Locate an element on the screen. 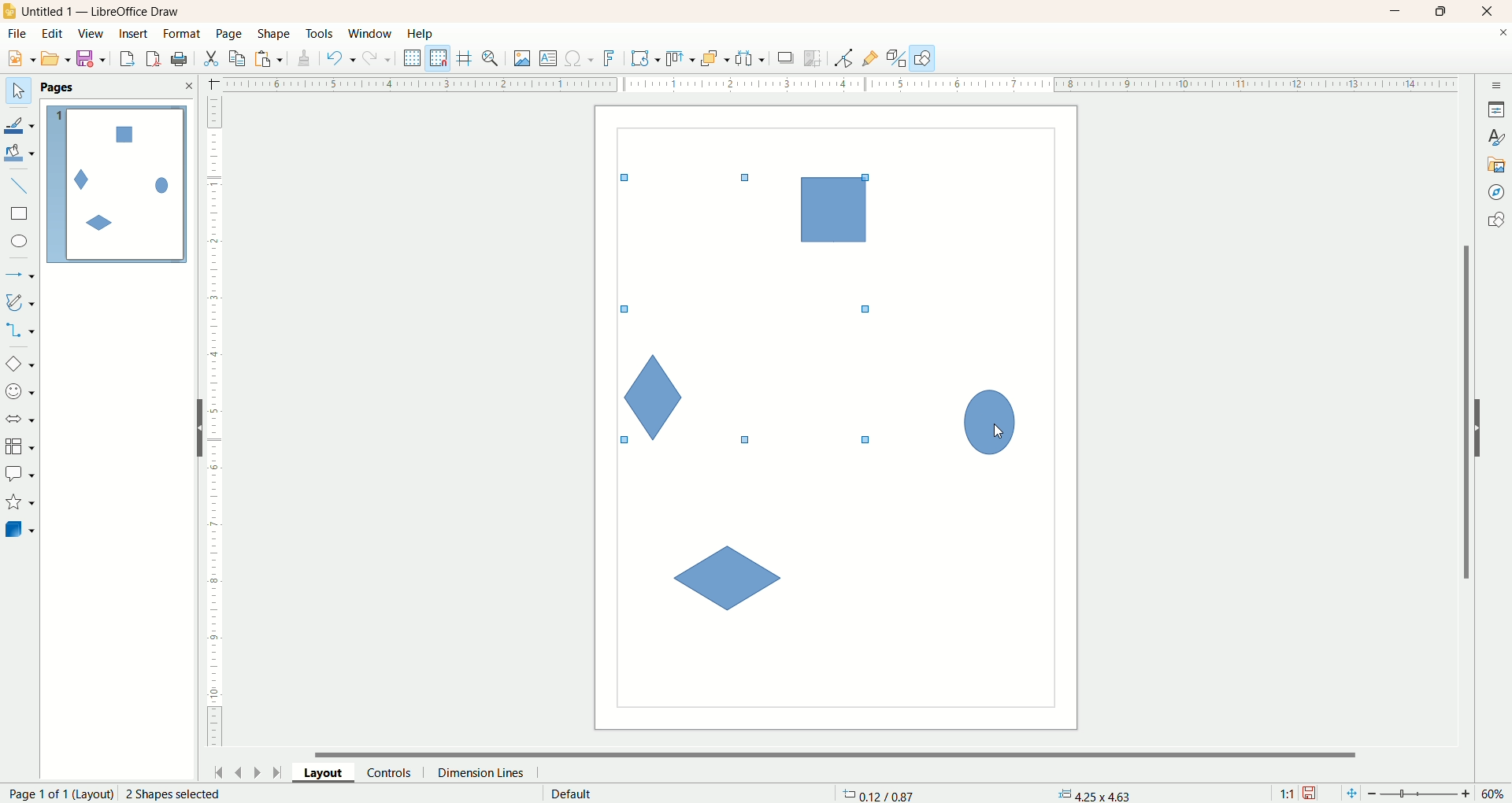 This screenshot has height=803, width=1512. shape is located at coordinates (275, 35).